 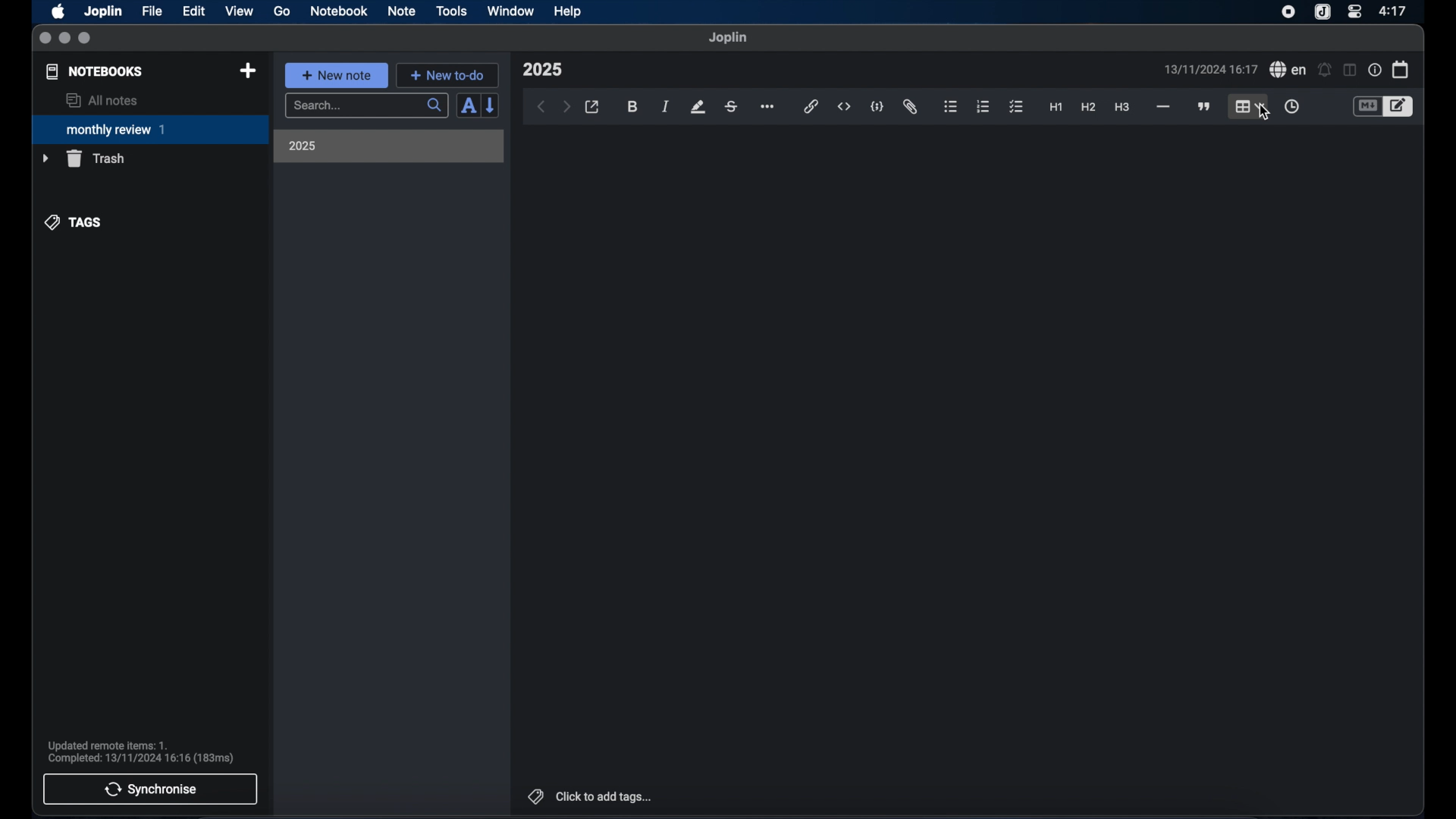 What do you see at coordinates (542, 70) in the screenshot?
I see `note title` at bounding box center [542, 70].